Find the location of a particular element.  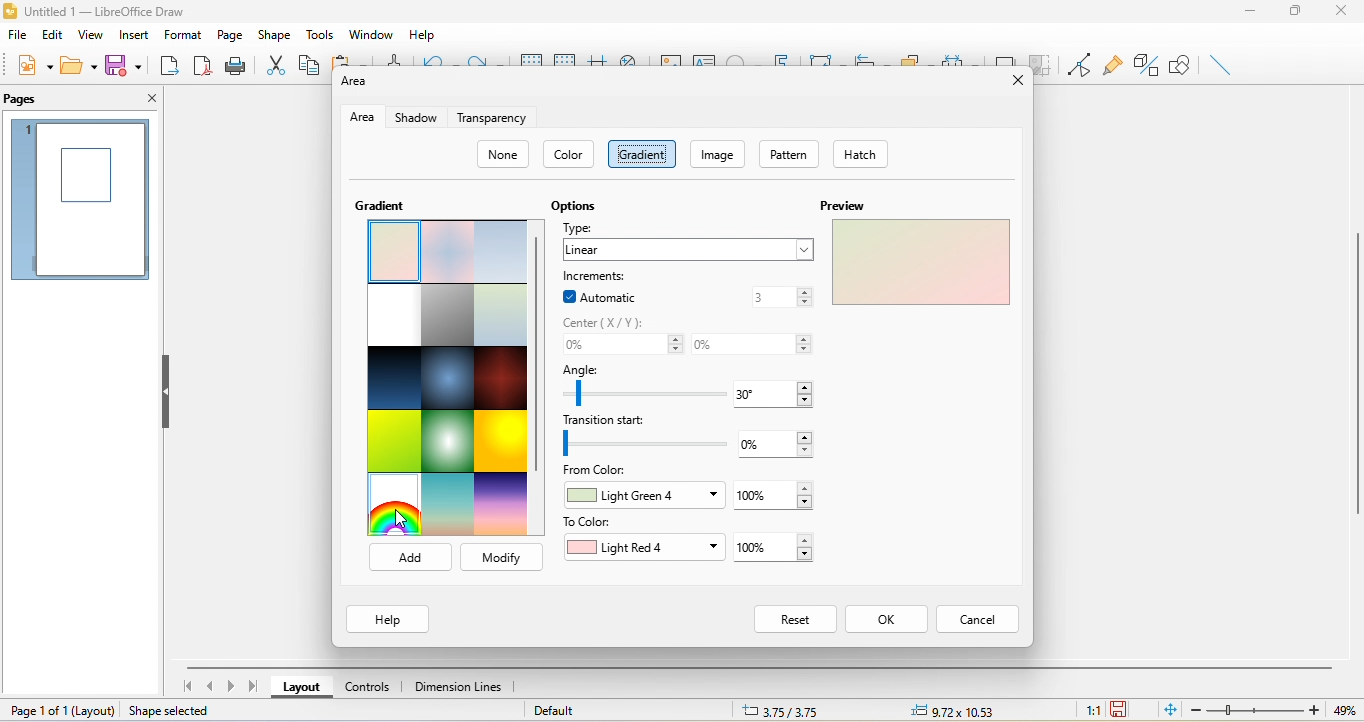

from color is located at coordinates (599, 471).